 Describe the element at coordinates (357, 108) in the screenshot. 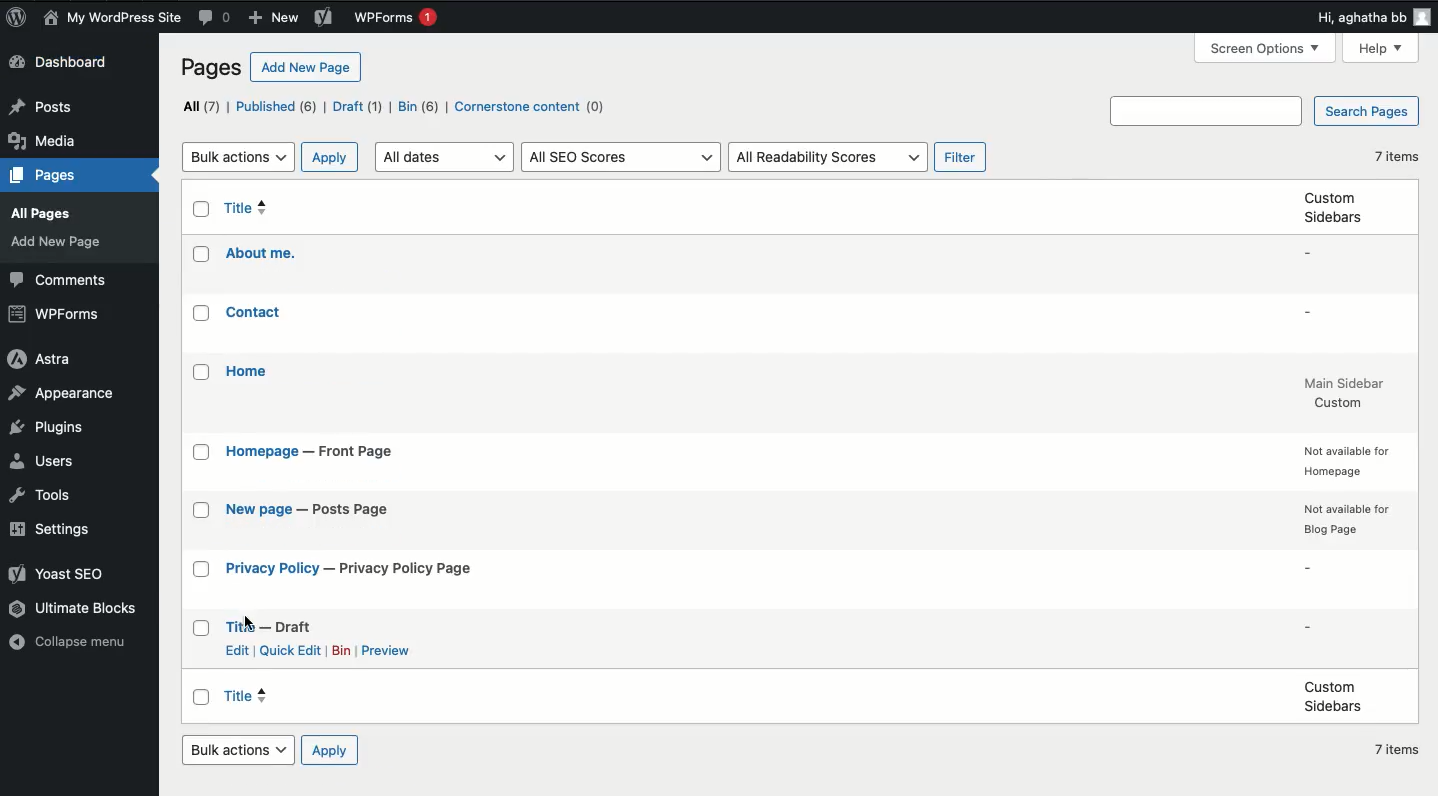

I see `Draft` at that location.